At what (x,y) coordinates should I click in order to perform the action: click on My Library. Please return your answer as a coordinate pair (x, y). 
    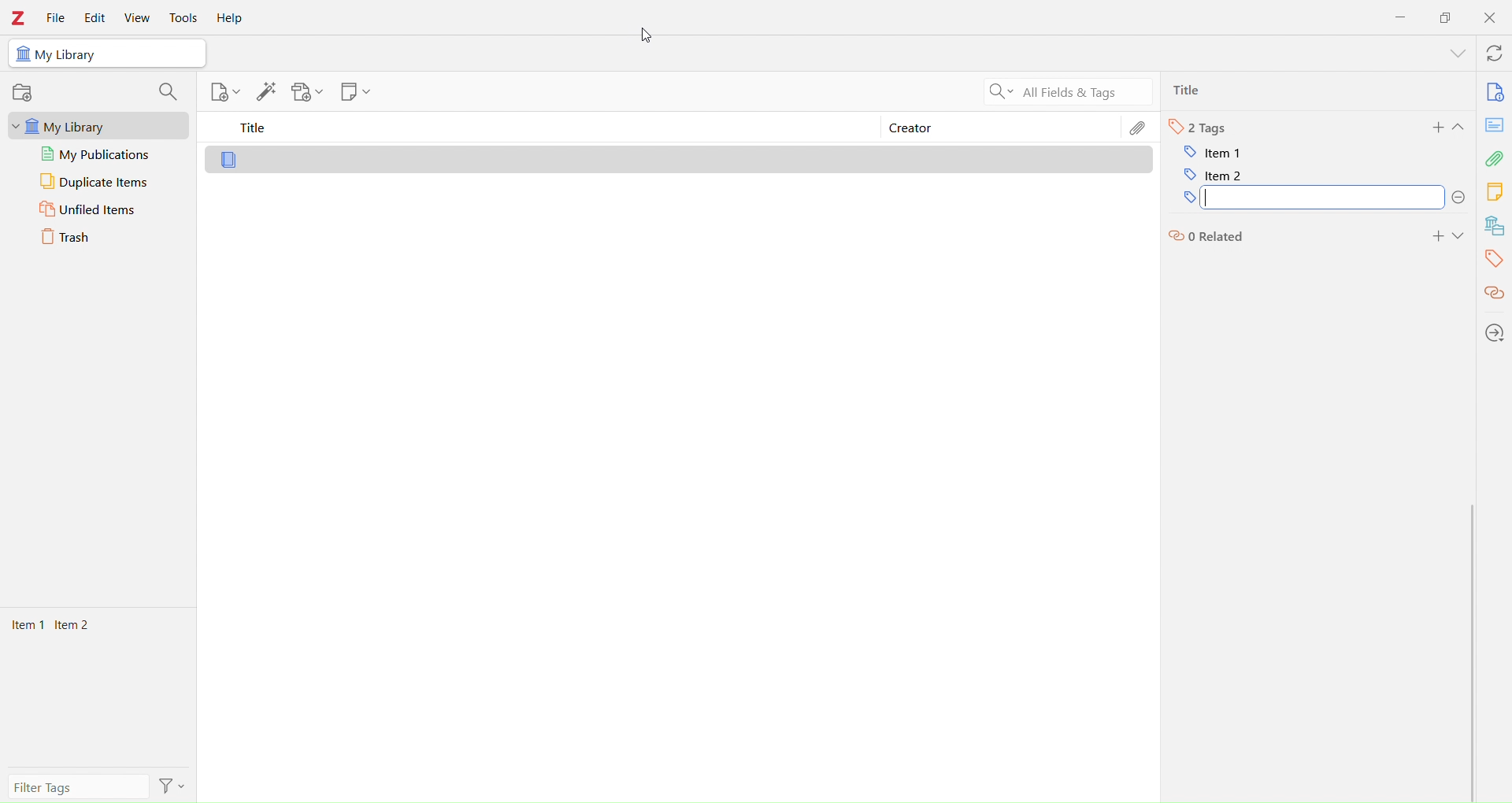
    Looking at the image, I should click on (98, 126).